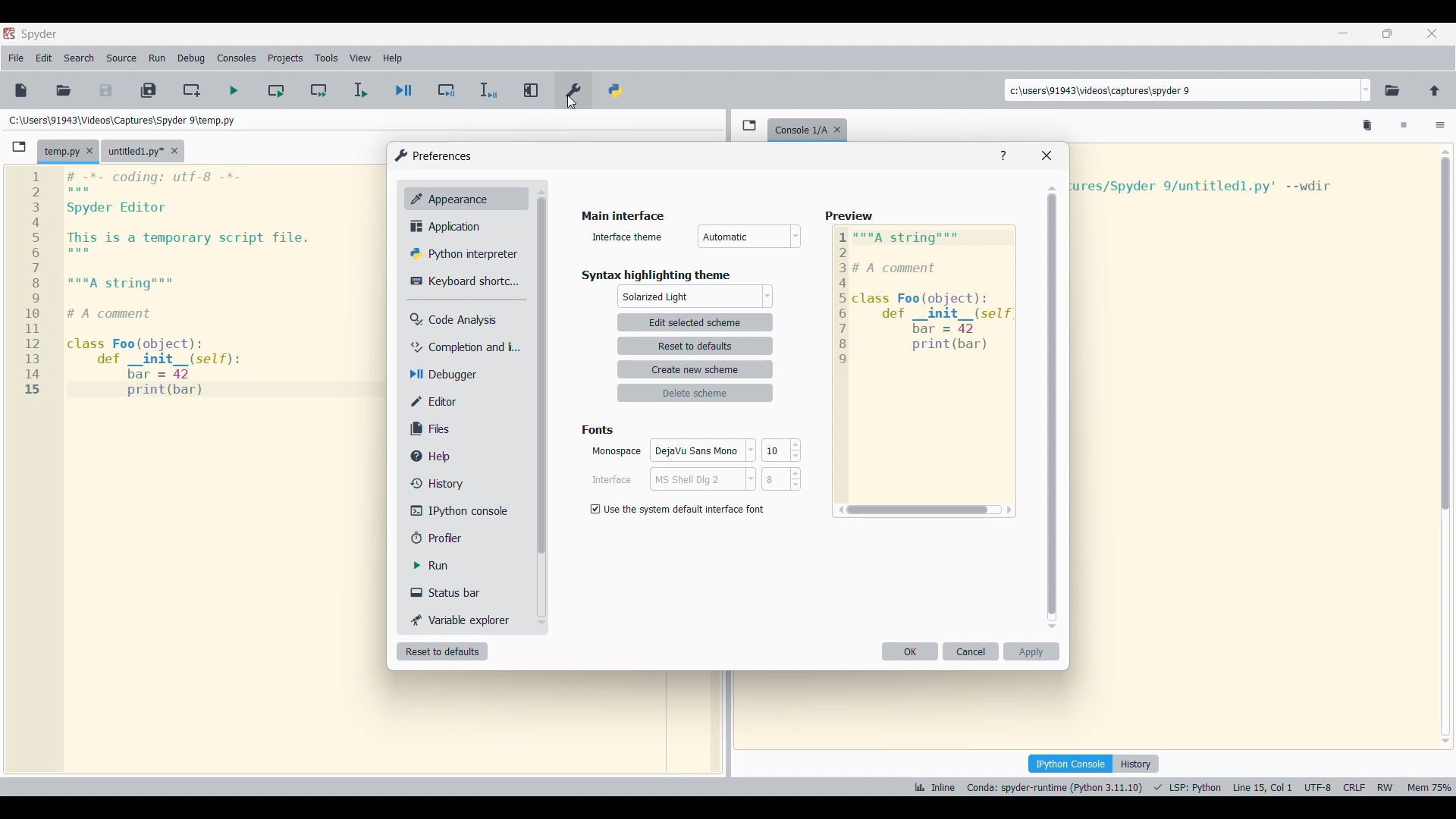 This screenshot has height=819, width=1456. Describe the element at coordinates (1392, 91) in the screenshot. I see `Browse a working directory` at that location.